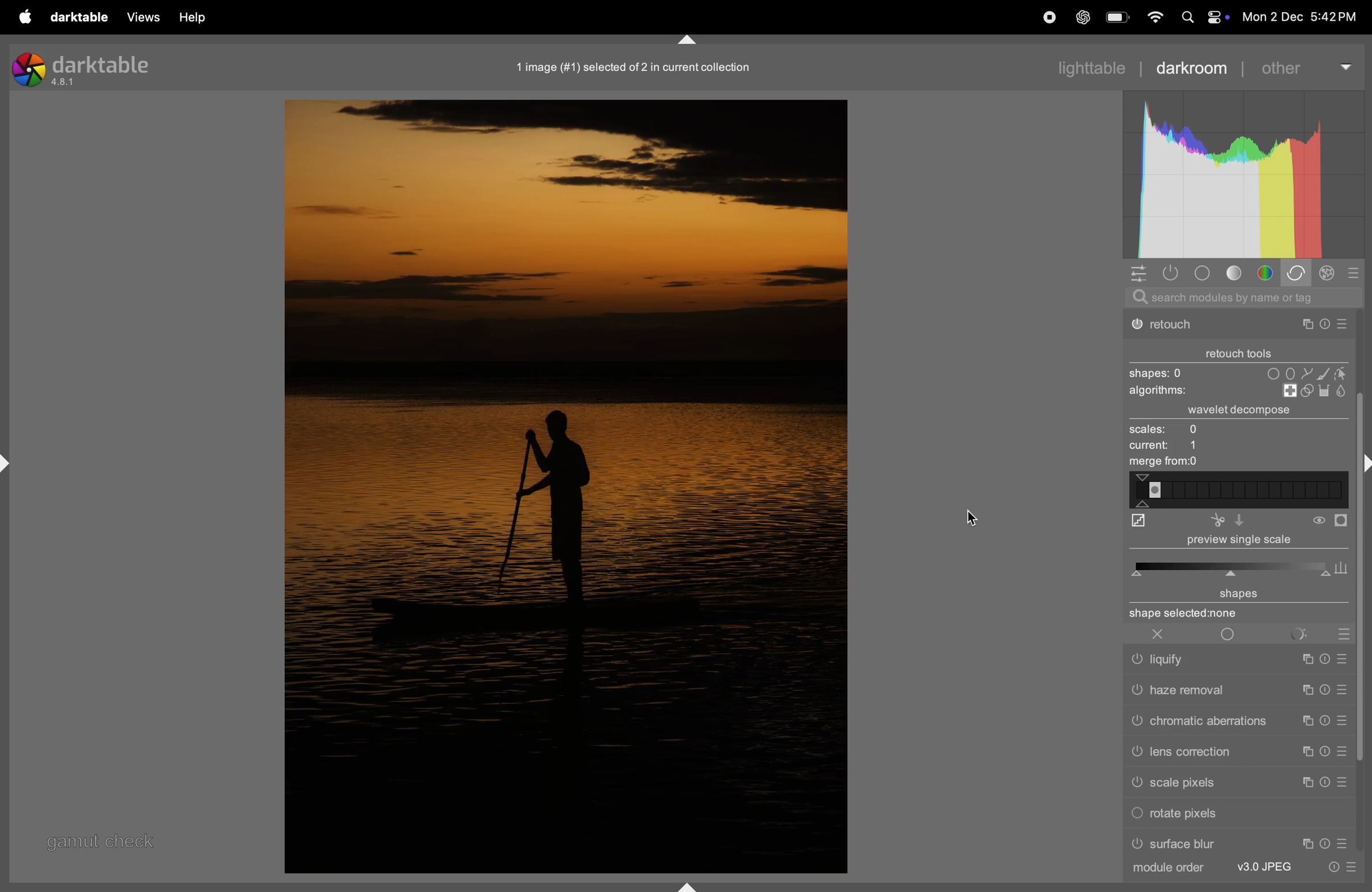 This screenshot has height=892, width=1372. I want to click on correct, so click(1298, 274).